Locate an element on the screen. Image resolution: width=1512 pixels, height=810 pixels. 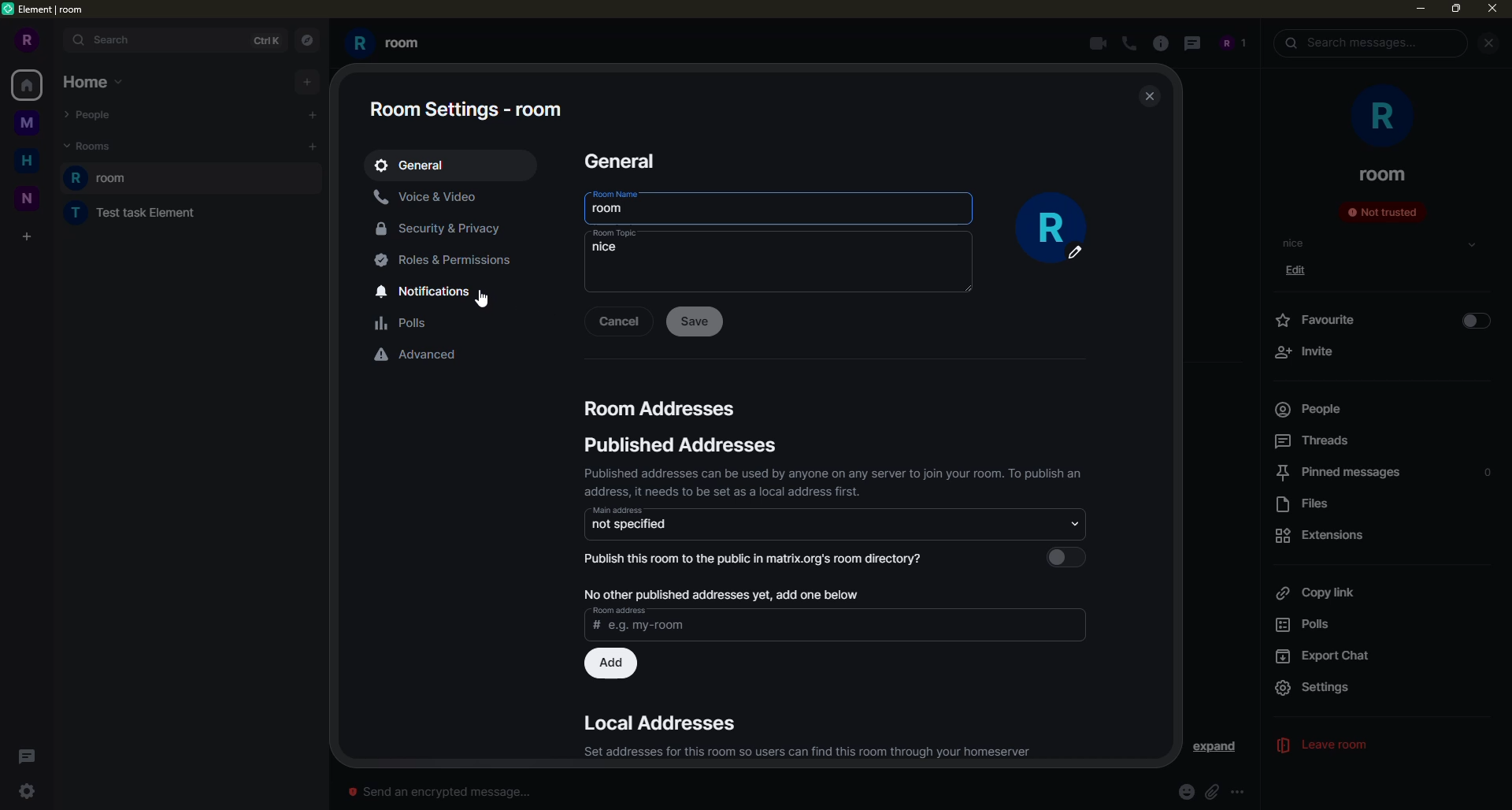
published addresses is located at coordinates (686, 444).